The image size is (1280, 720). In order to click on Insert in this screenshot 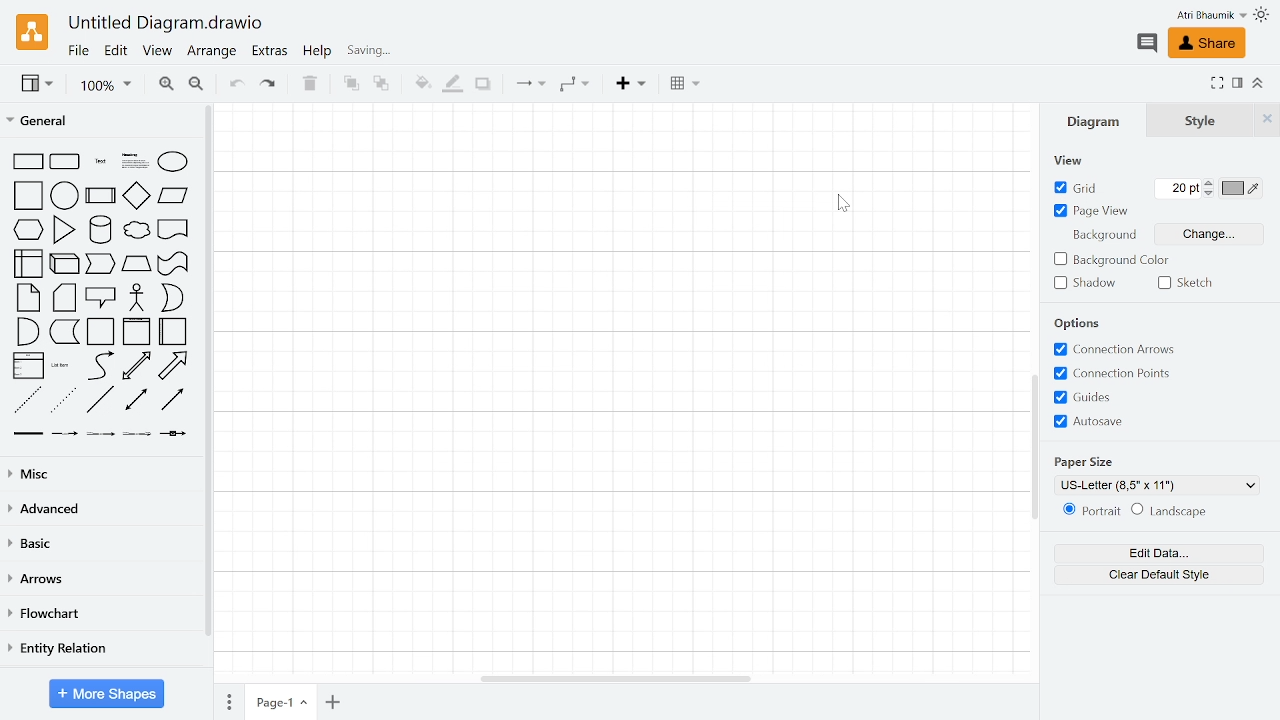, I will do `click(629, 84)`.